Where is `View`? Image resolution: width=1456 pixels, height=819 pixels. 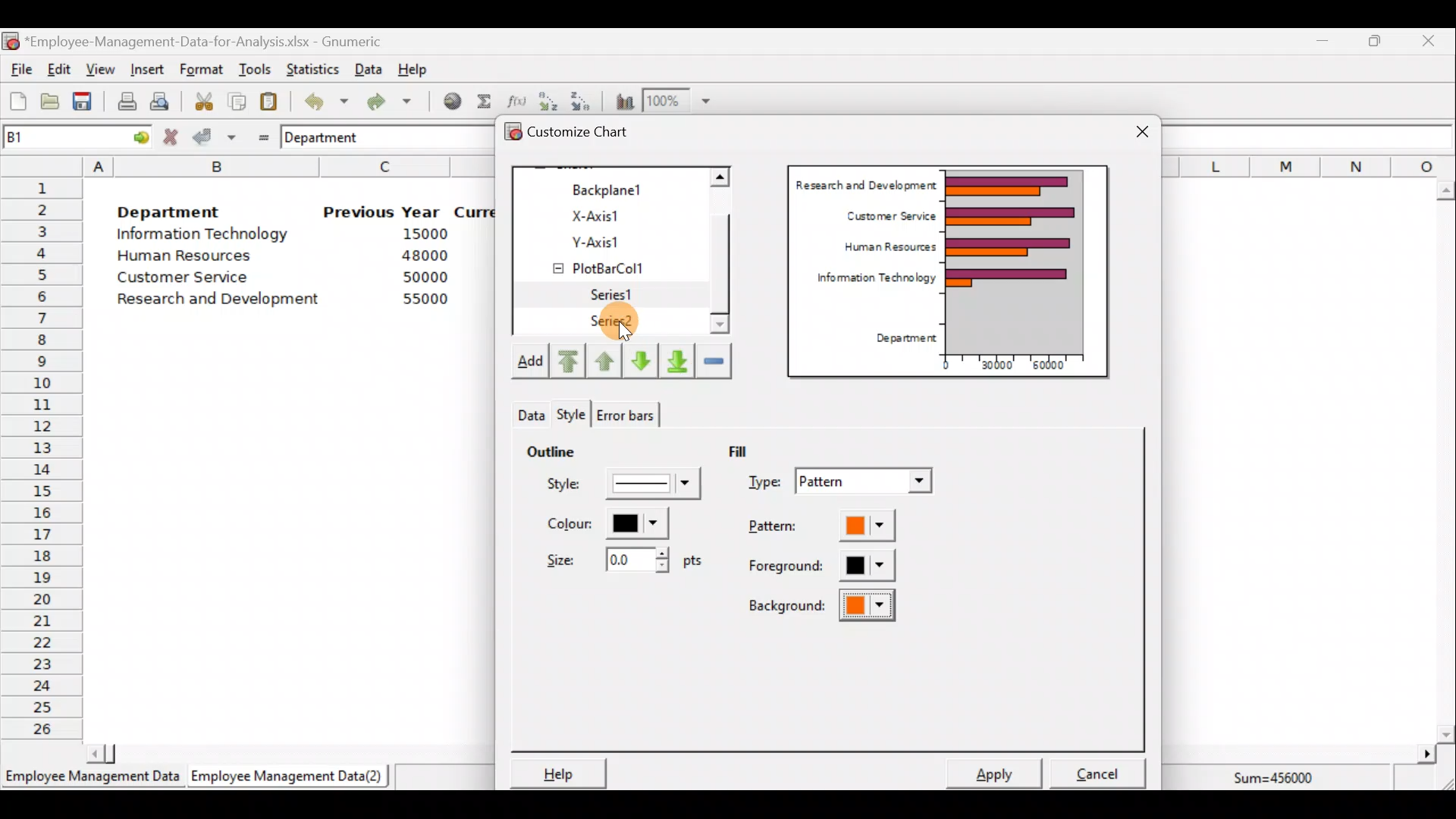 View is located at coordinates (99, 70).